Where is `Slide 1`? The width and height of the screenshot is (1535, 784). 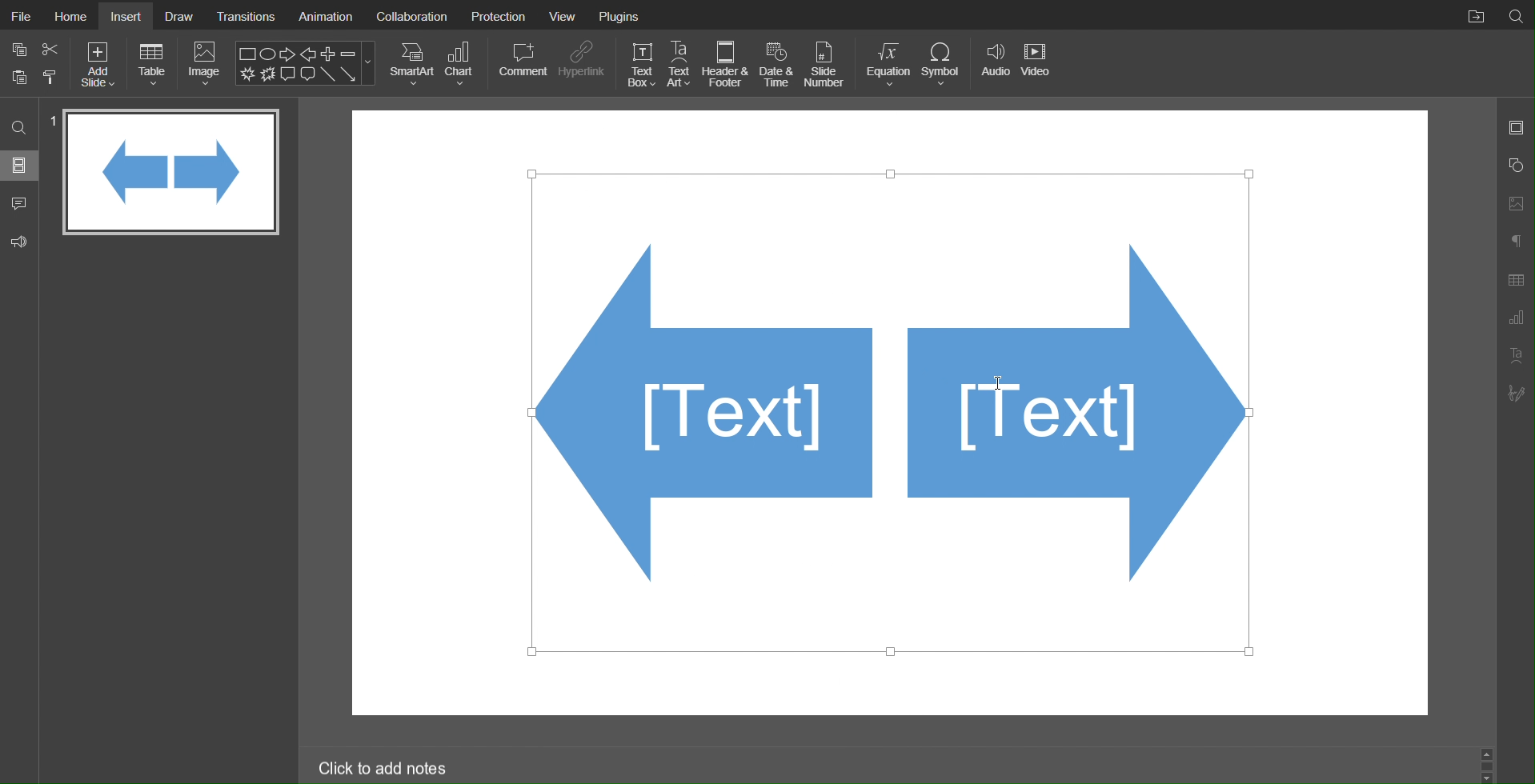 Slide 1 is located at coordinates (172, 173).